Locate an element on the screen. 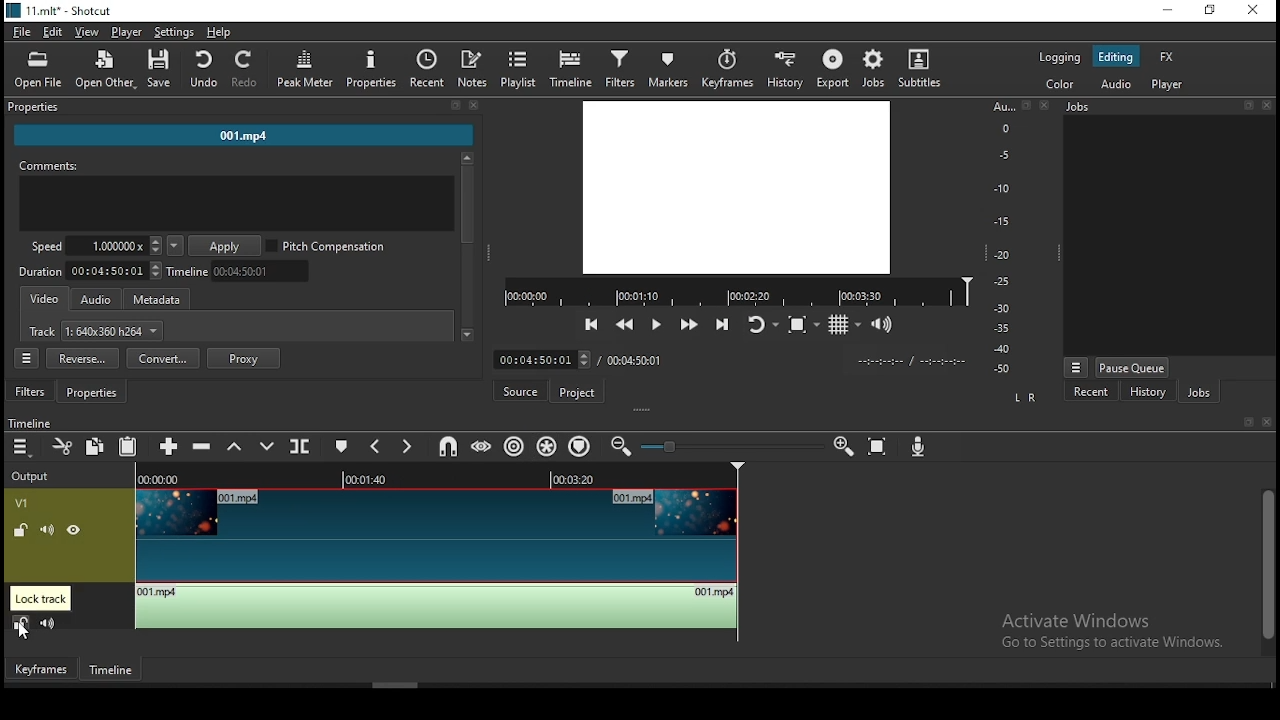 The image size is (1280, 720). (un)mute is located at coordinates (50, 623).